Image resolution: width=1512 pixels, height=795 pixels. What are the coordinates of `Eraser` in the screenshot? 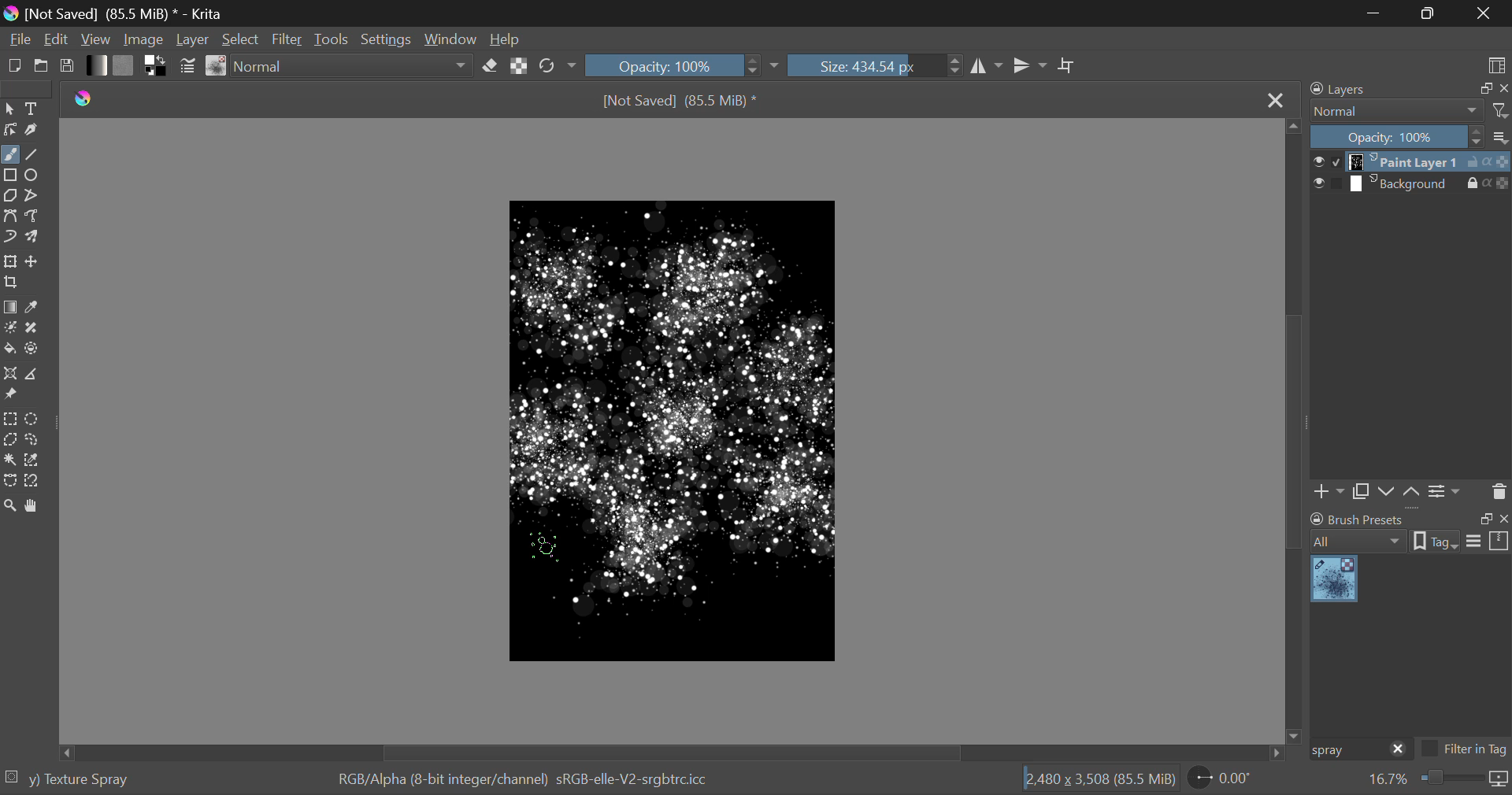 It's located at (490, 66).